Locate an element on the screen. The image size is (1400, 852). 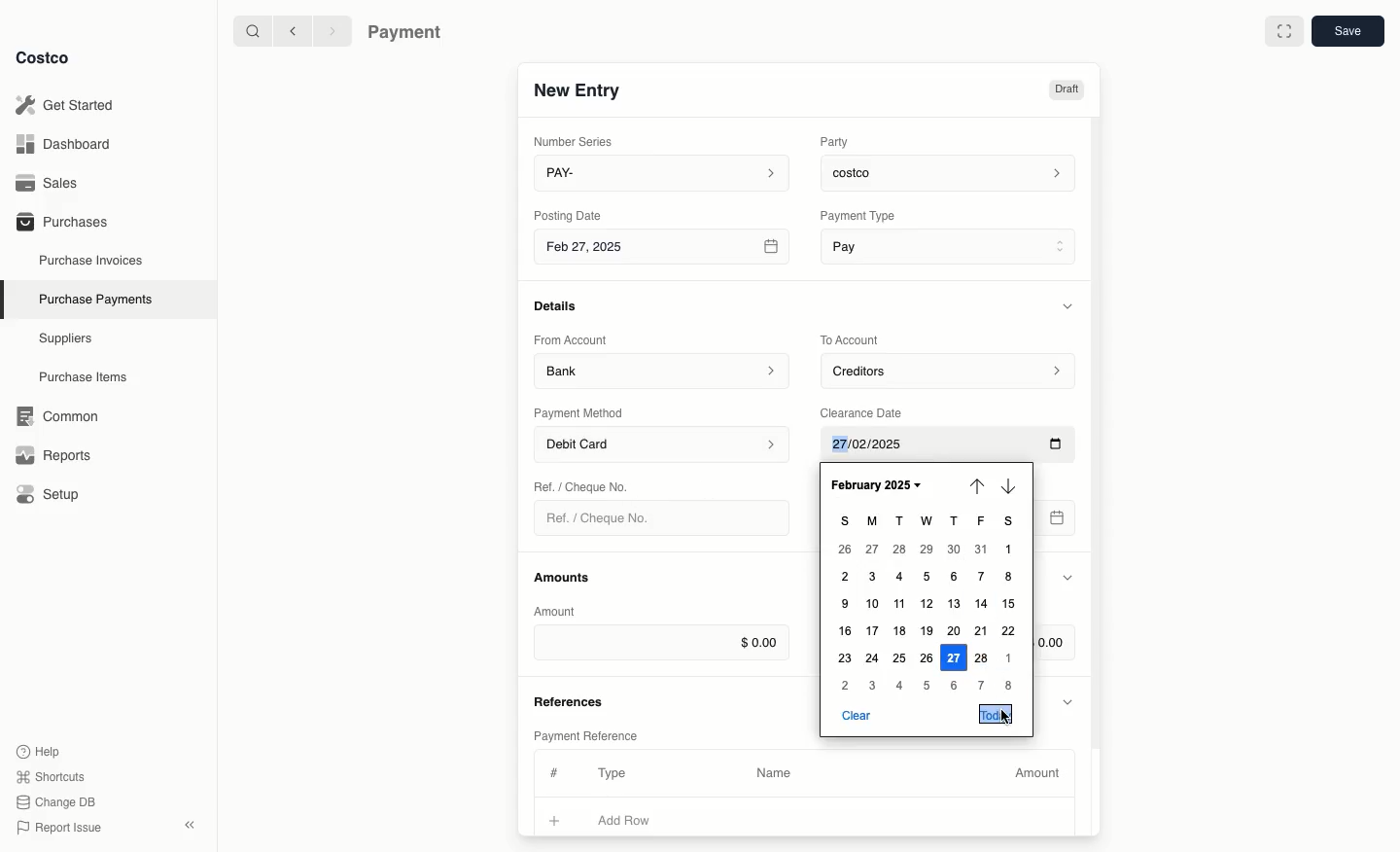
27/02/2025 is located at coordinates (951, 445).